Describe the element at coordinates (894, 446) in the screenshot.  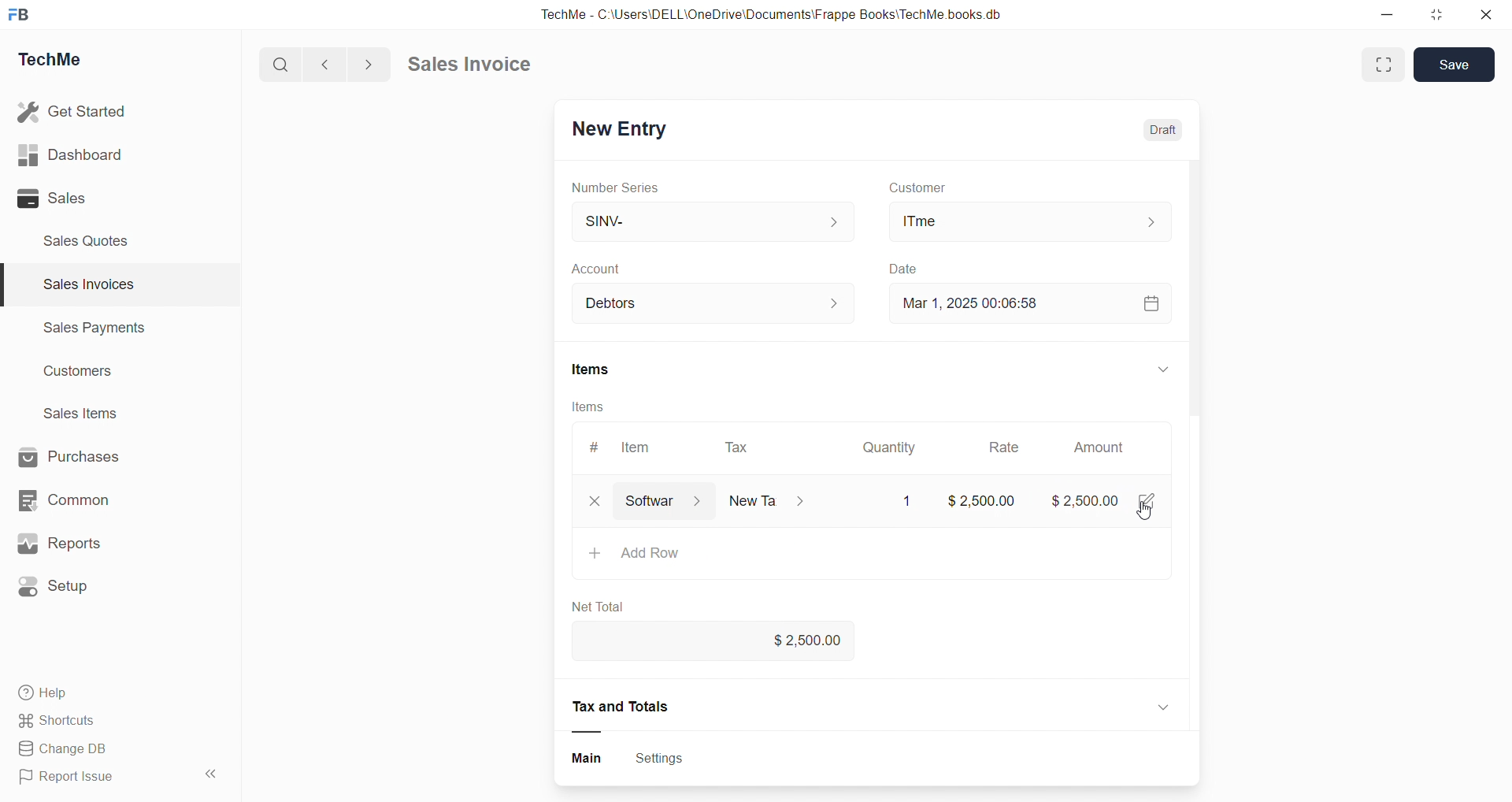
I see `Quantity` at that location.